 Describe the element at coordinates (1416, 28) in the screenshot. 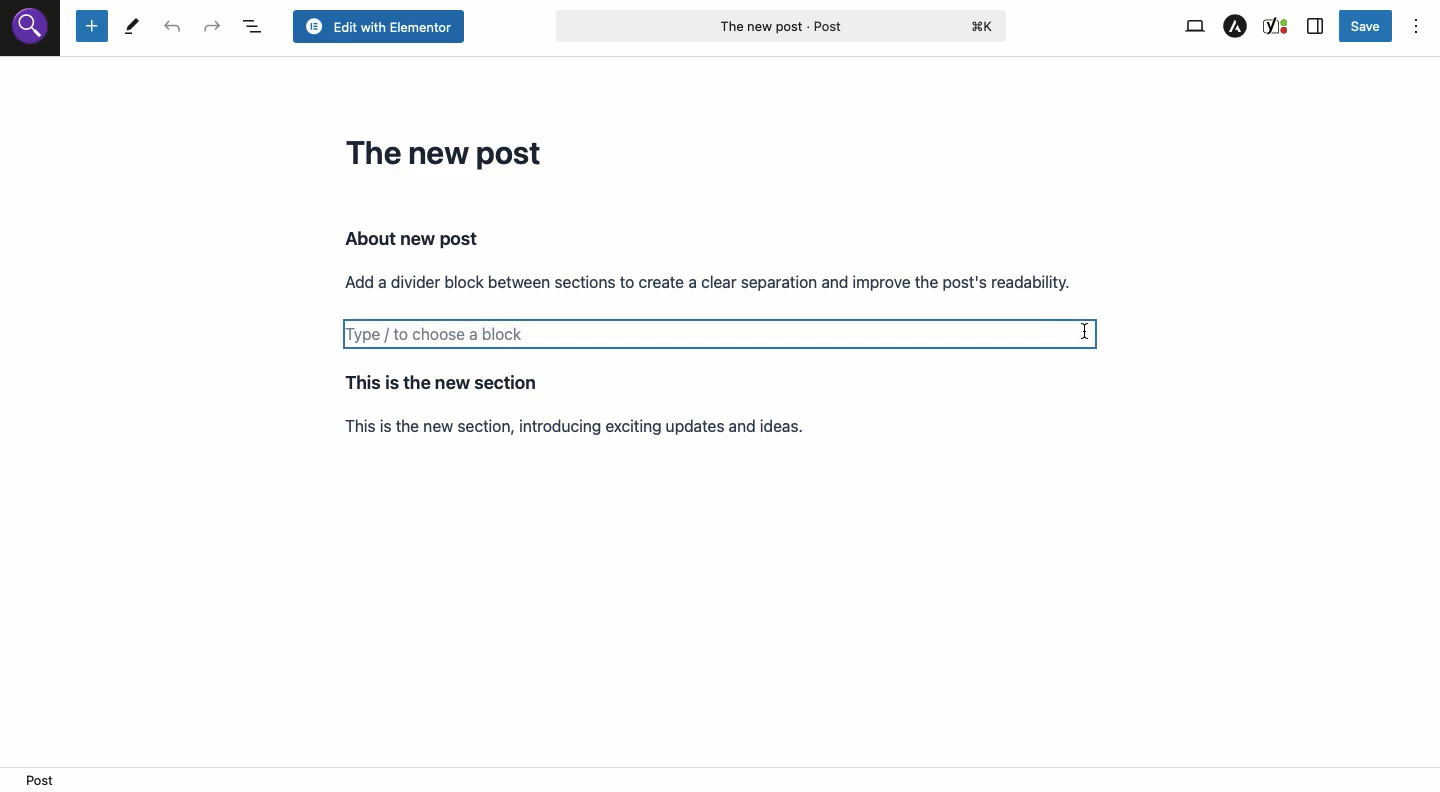

I see `Options` at that location.